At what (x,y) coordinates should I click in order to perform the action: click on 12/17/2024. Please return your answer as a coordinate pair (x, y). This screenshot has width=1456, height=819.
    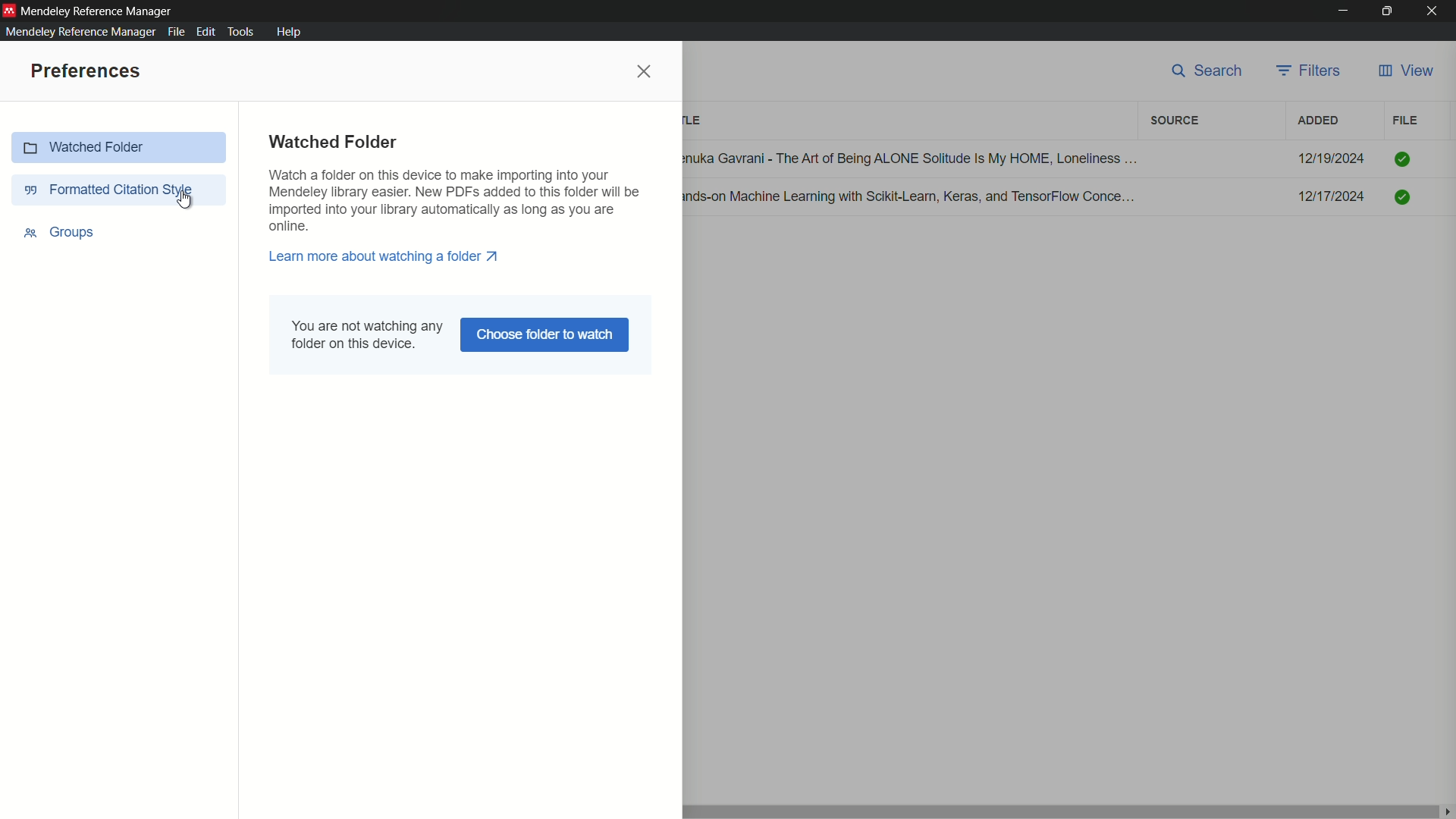
    Looking at the image, I should click on (1332, 196).